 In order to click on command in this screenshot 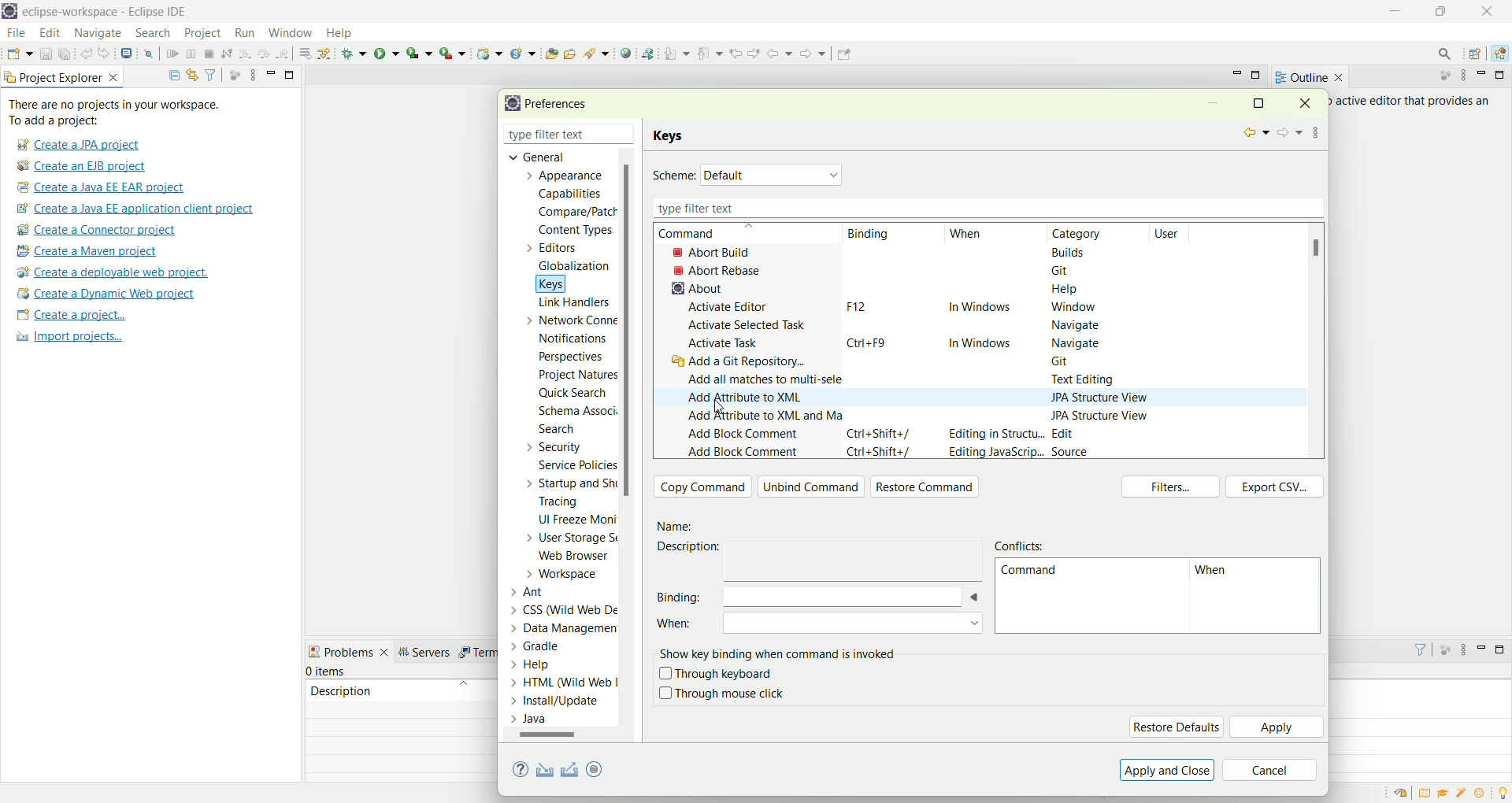, I will do `click(703, 234)`.